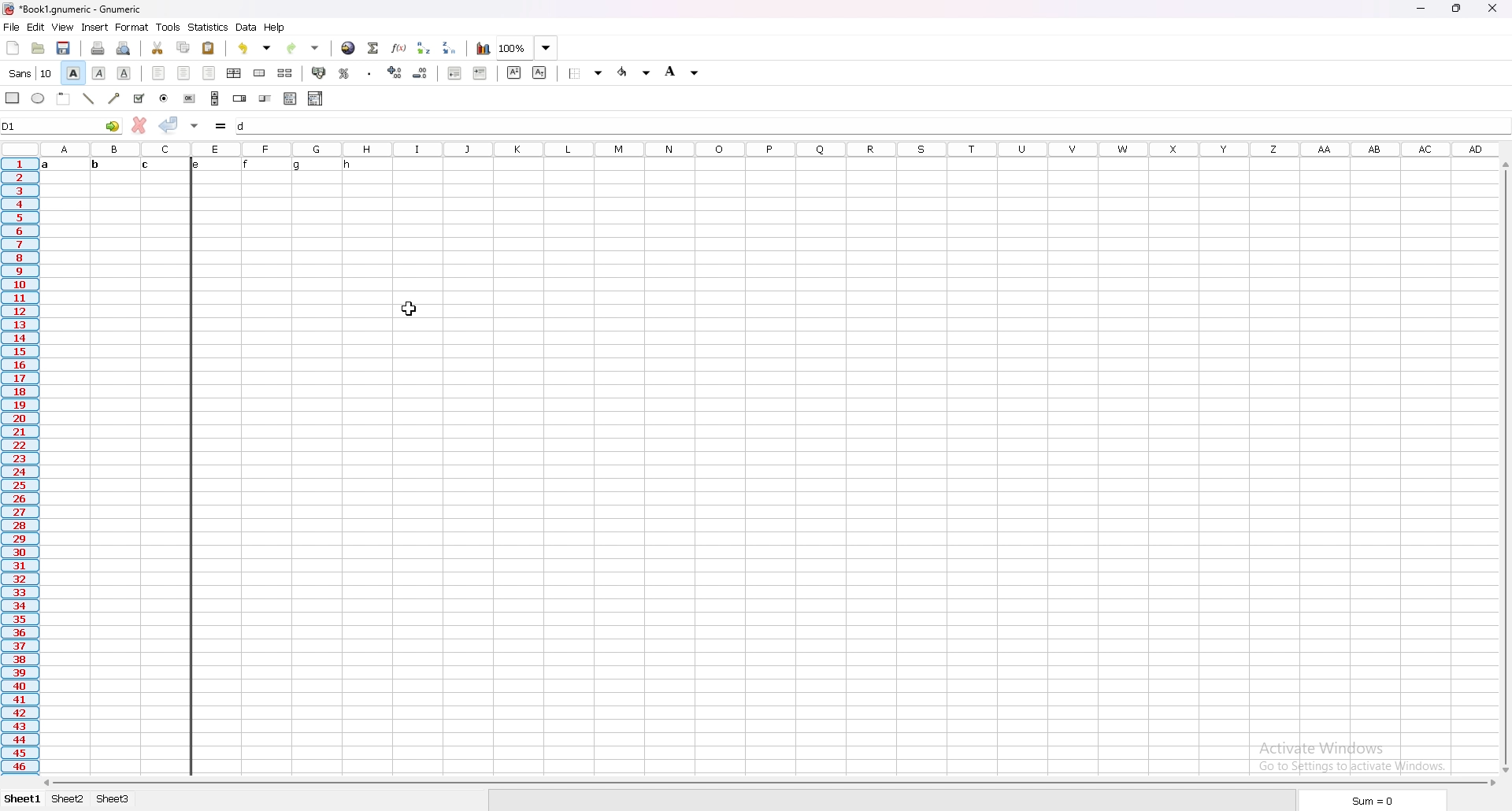  Describe the element at coordinates (114, 99) in the screenshot. I see `arrowed line` at that location.